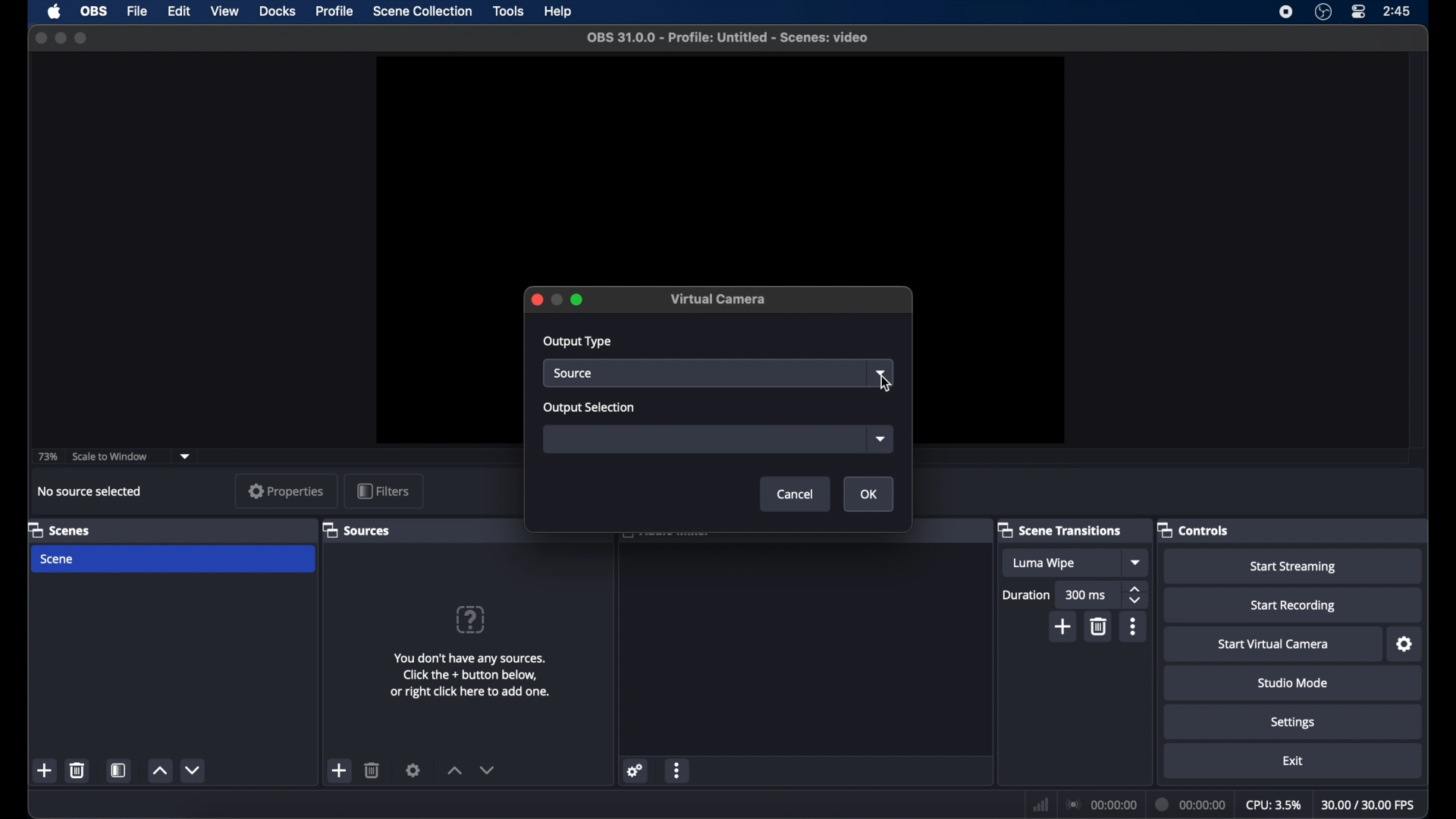 The height and width of the screenshot is (819, 1456). I want to click on more options, so click(1134, 626).